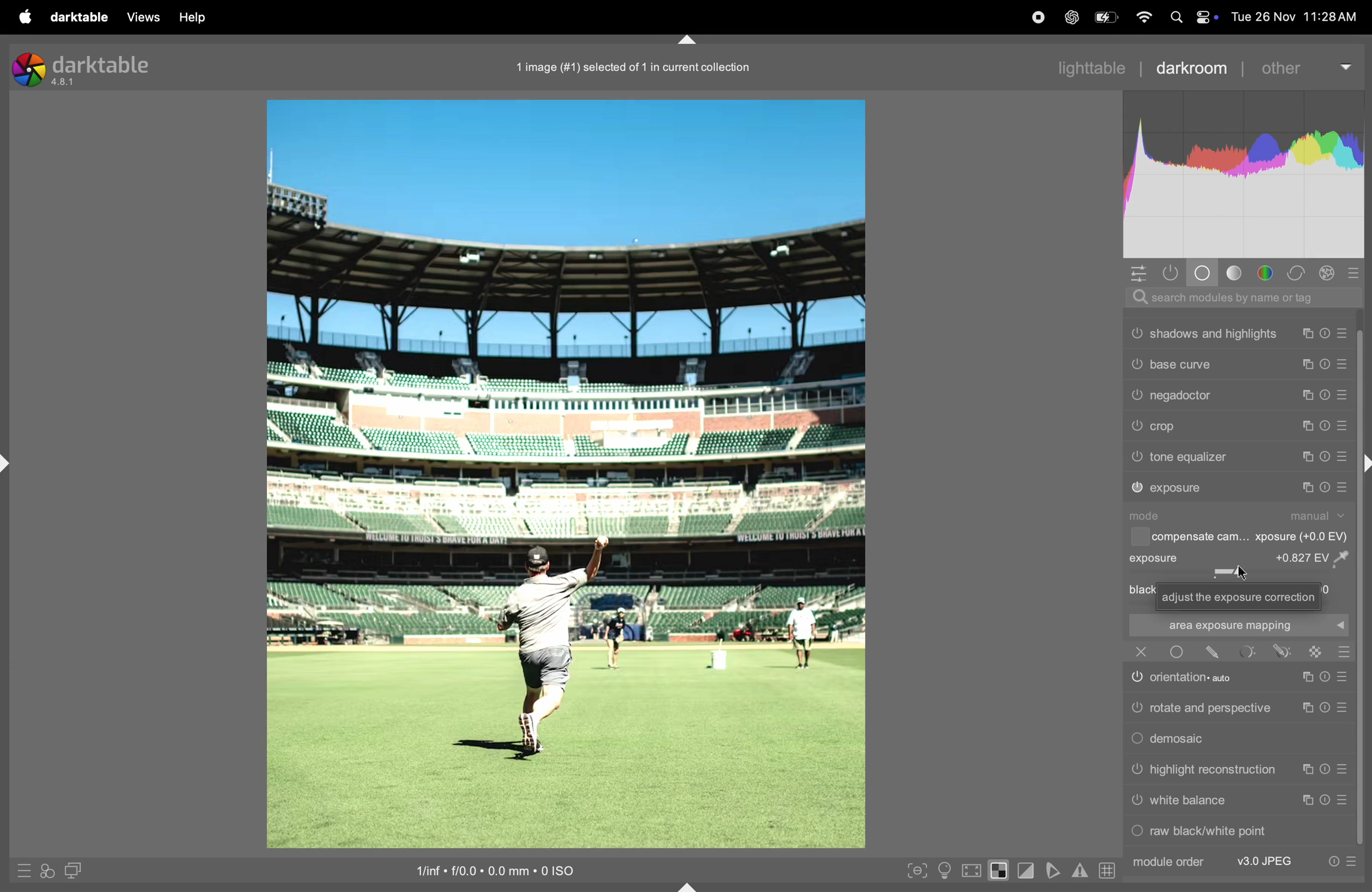  I want to click on manual, so click(1320, 516).